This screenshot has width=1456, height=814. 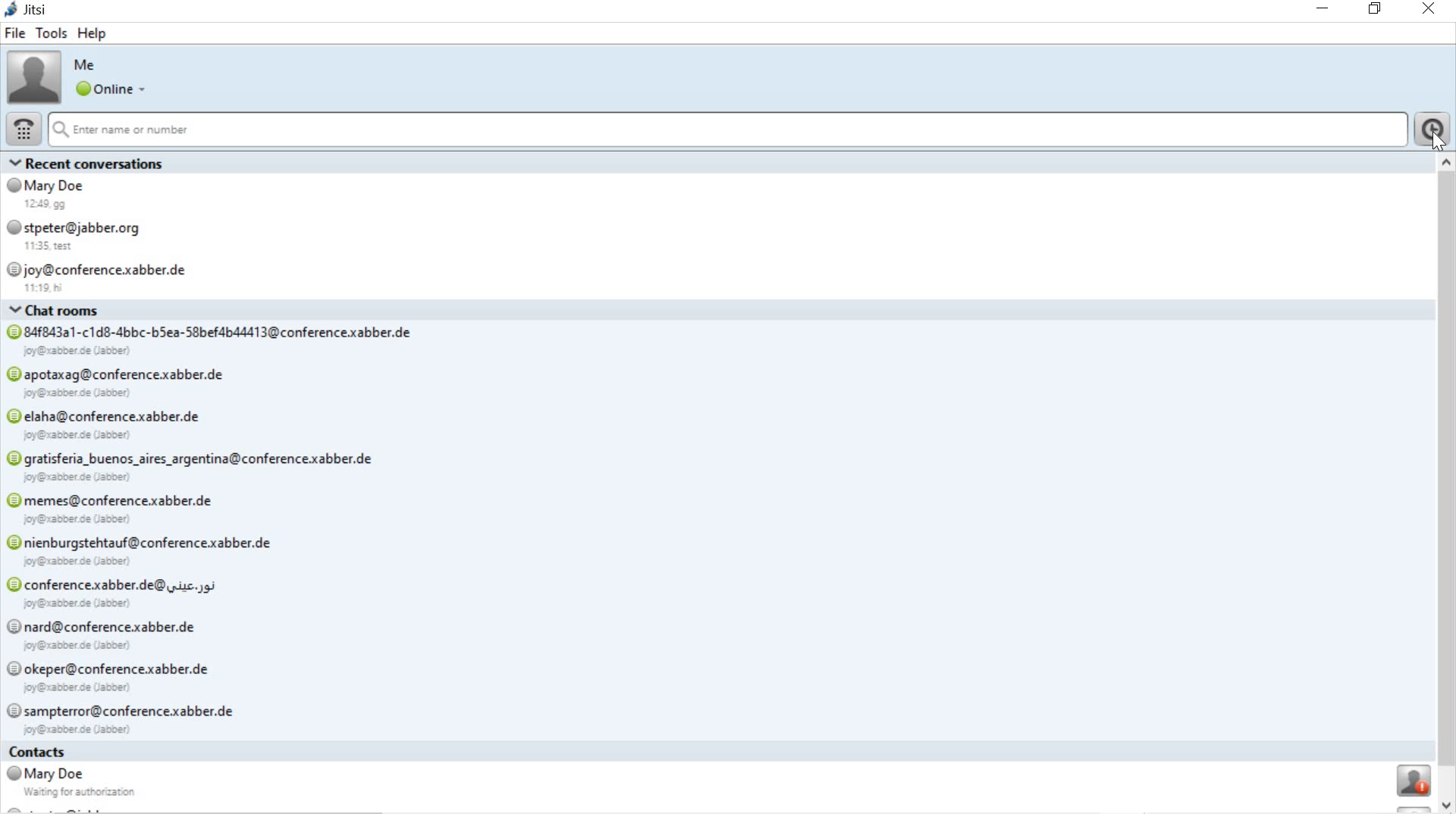 What do you see at coordinates (32, 77) in the screenshot?
I see `account picture` at bounding box center [32, 77].